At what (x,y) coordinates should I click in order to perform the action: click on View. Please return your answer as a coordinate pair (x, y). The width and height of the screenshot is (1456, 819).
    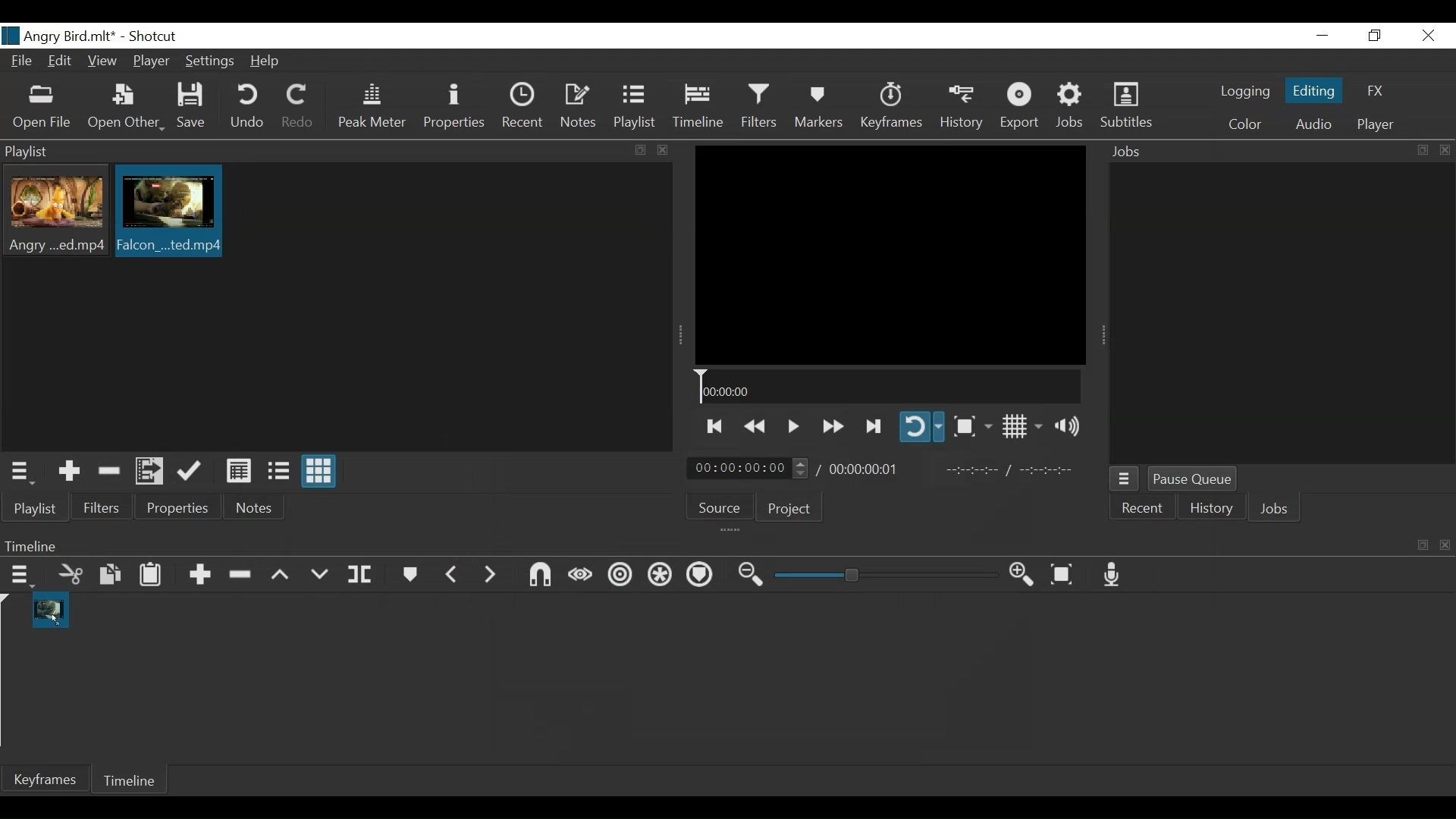
    Looking at the image, I should click on (102, 62).